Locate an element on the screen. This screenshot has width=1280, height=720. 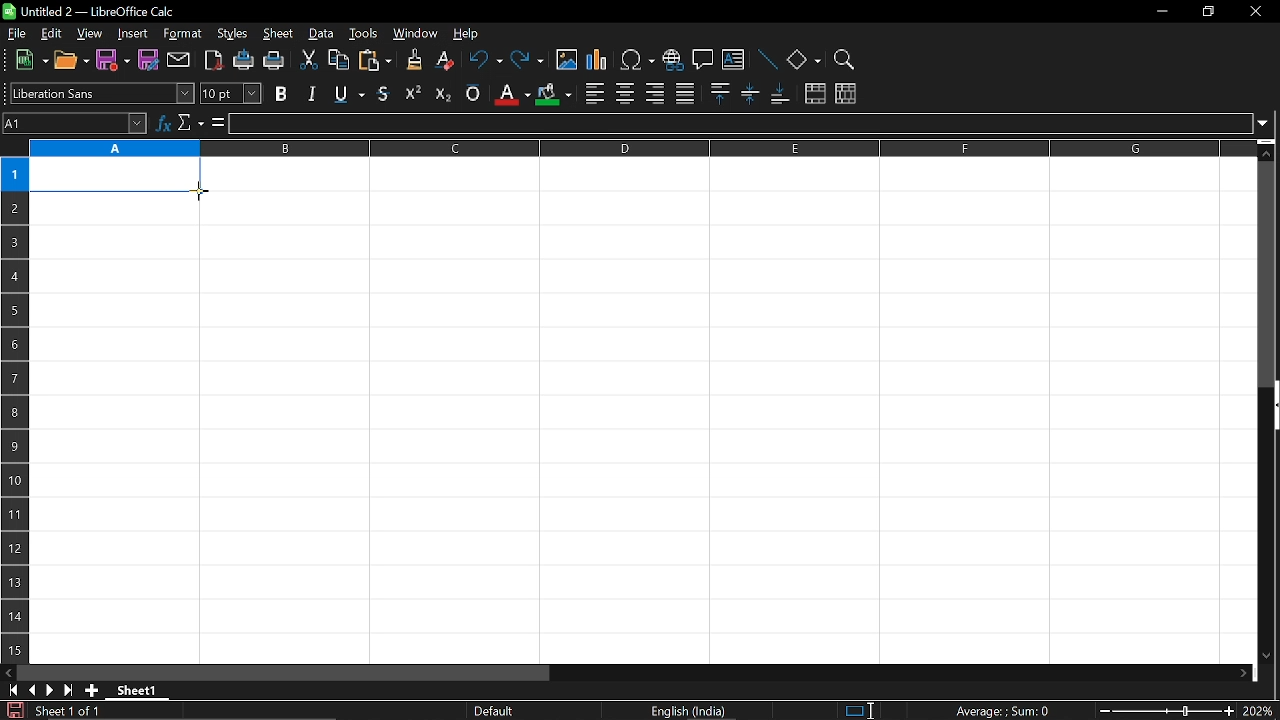
Default is located at coordinates (497, 711).